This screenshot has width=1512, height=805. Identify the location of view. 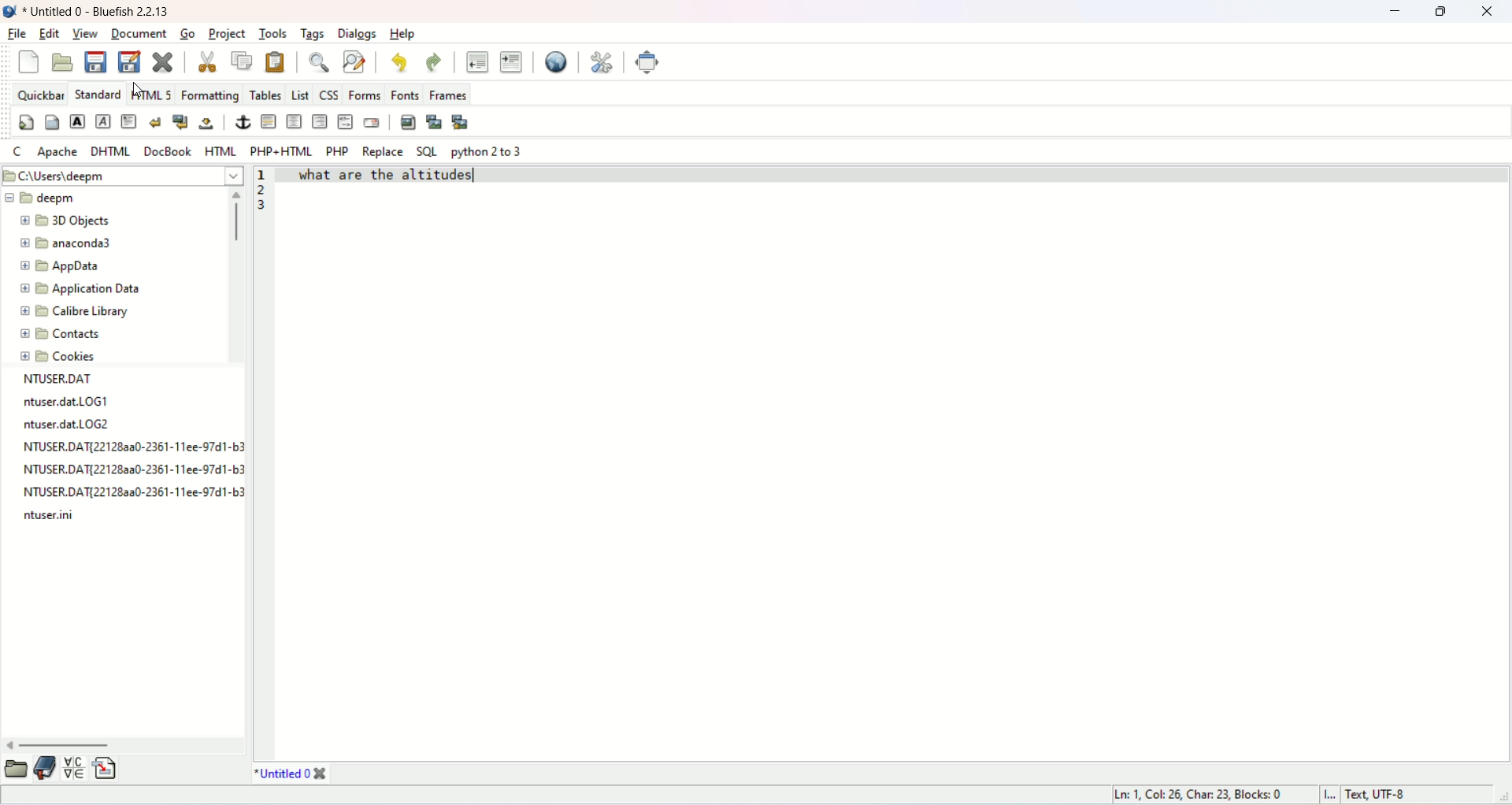
(87, 35).